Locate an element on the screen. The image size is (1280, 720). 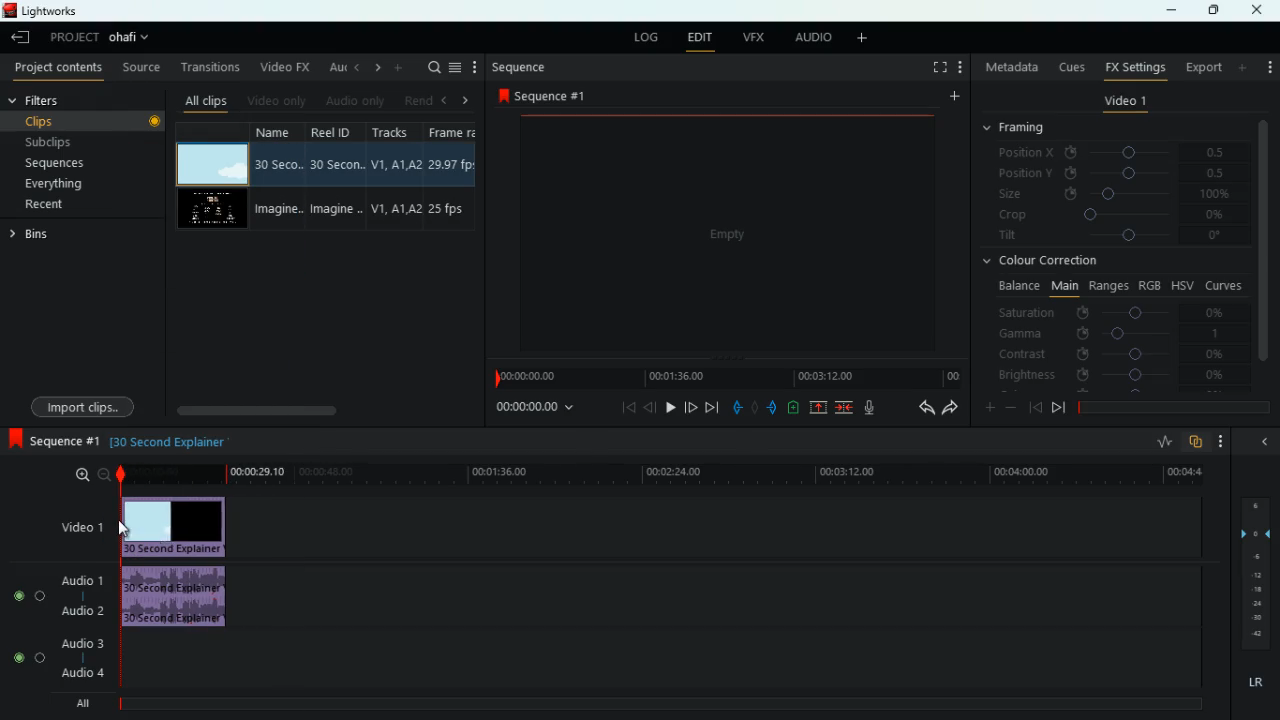
lightworks is located at coordinates (65, 10).